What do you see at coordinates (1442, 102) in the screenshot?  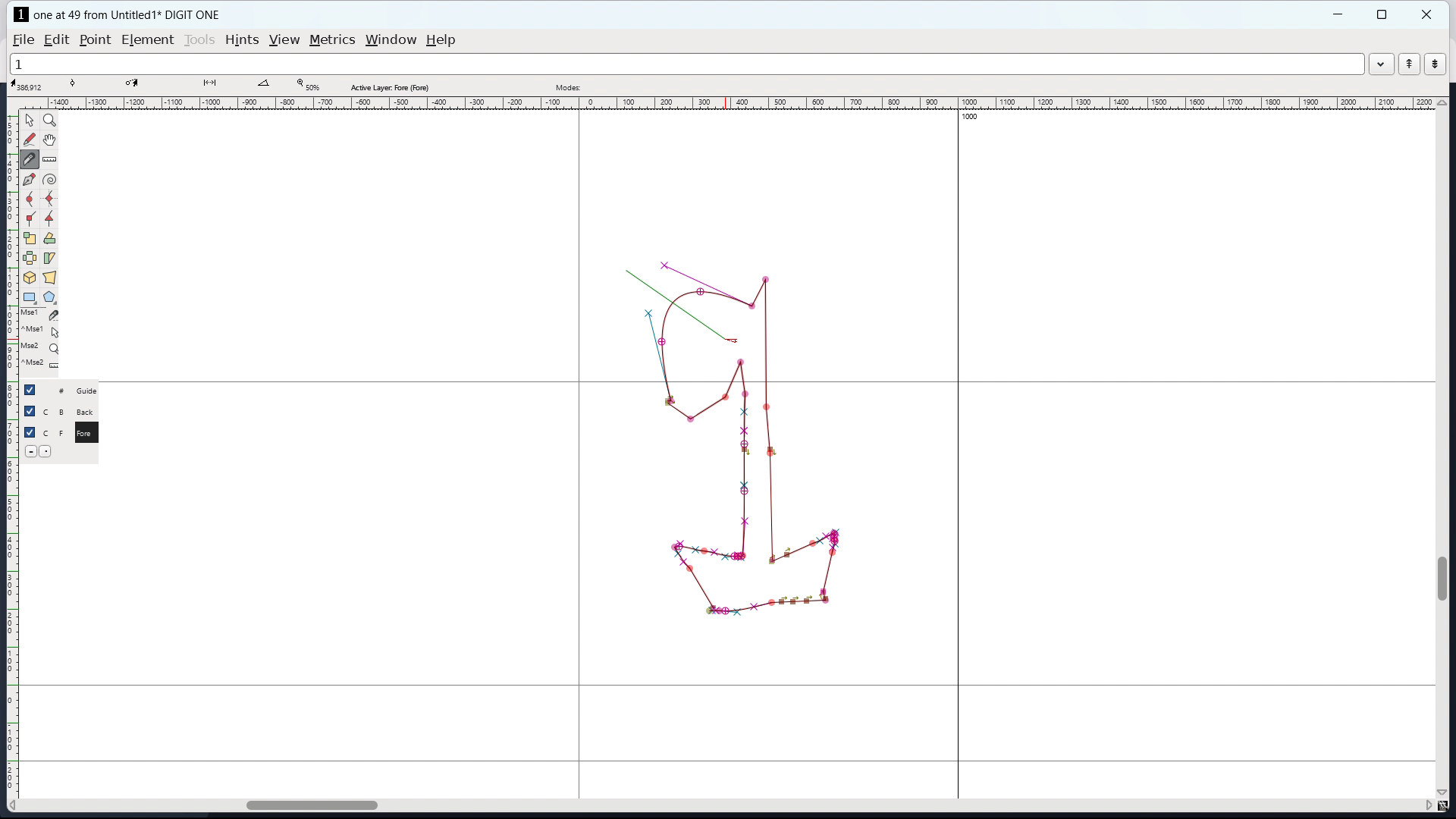 I see `scroll up` at bounding box center [1442, 102].